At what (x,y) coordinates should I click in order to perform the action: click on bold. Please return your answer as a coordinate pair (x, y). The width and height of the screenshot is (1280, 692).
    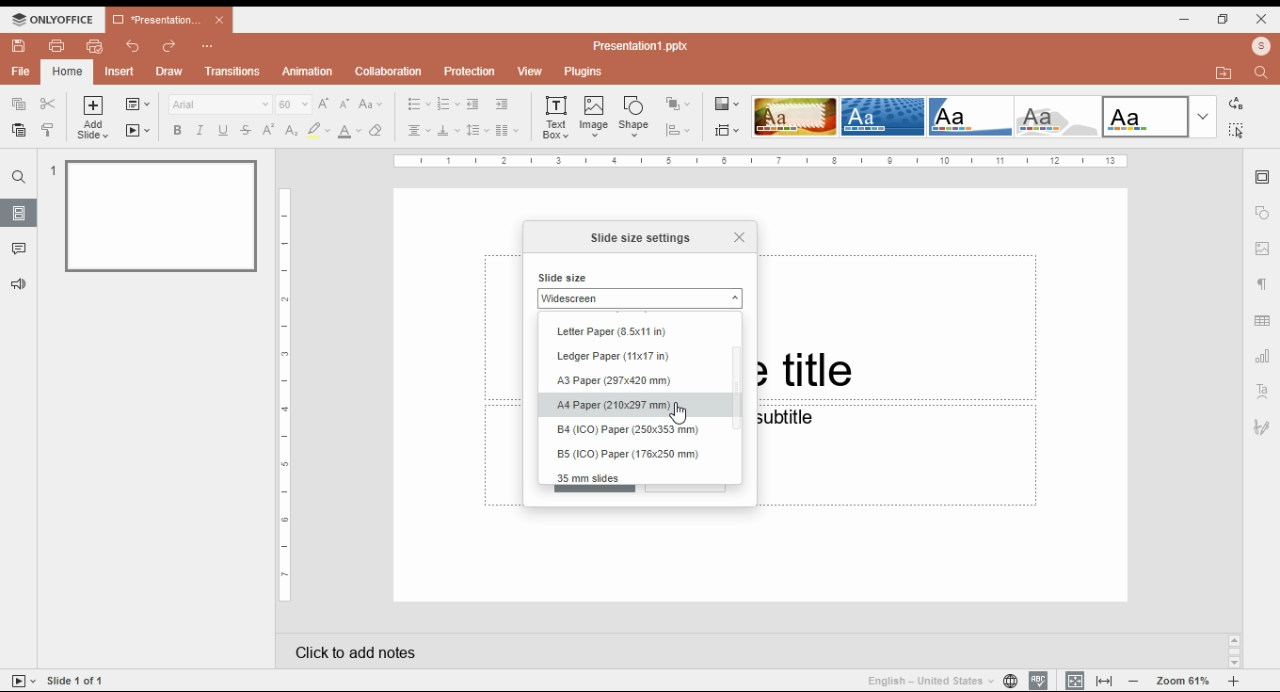
    Looking at the image, I should click on (176, 130).